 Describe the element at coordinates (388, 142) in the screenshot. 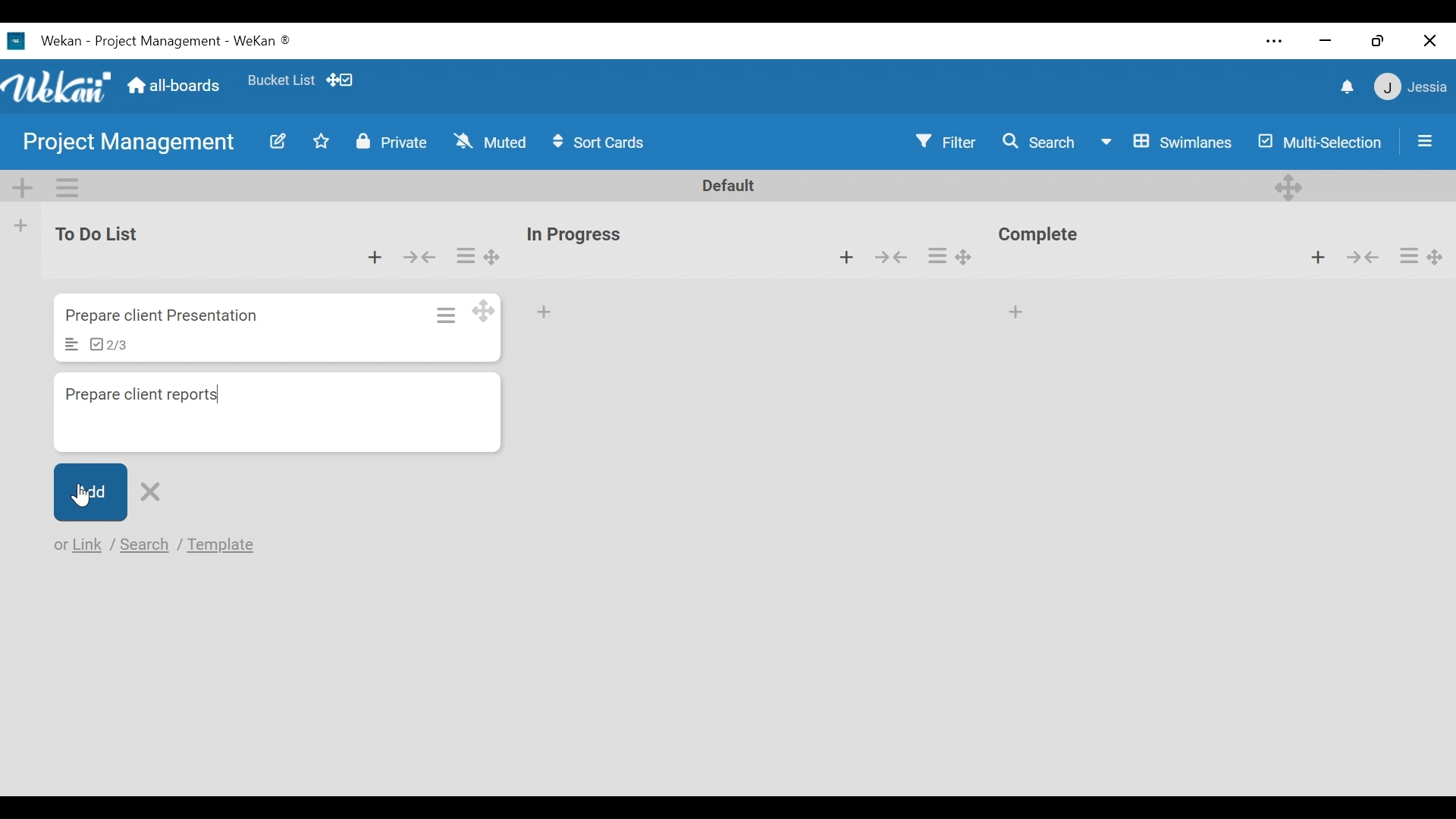

I see `Private` at that location.